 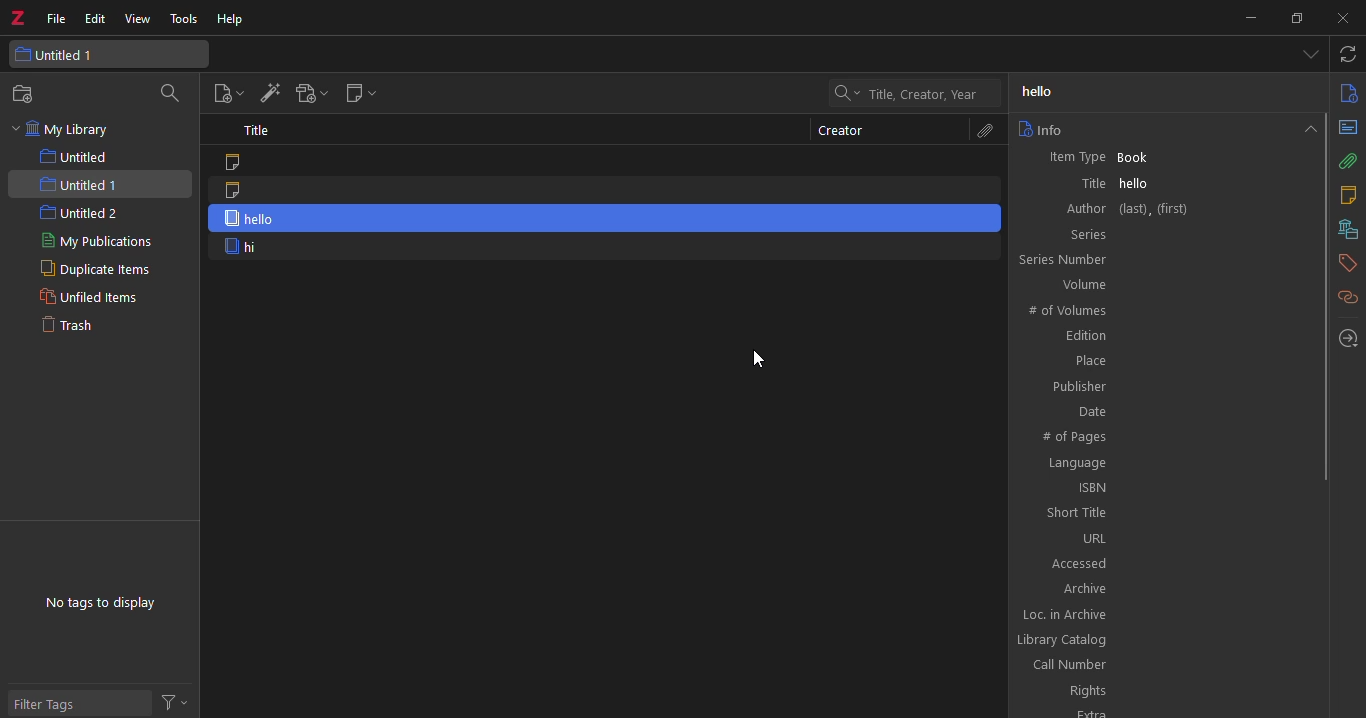 I want to click on number of pages, so click(x=1166, y=438).